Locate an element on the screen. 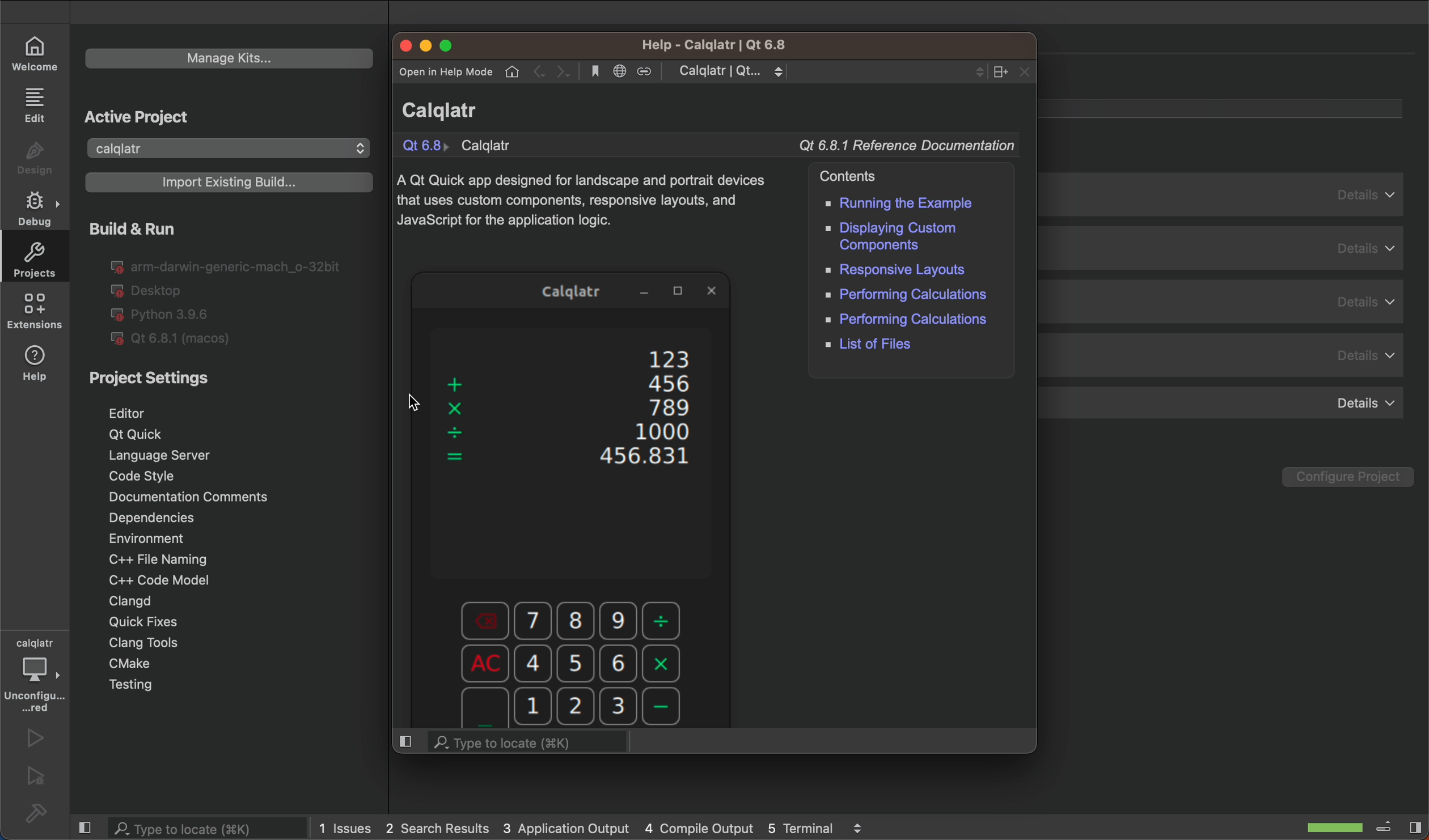 This screenshot has width=1429, height=840. issues is located at coordinates (346, 828).